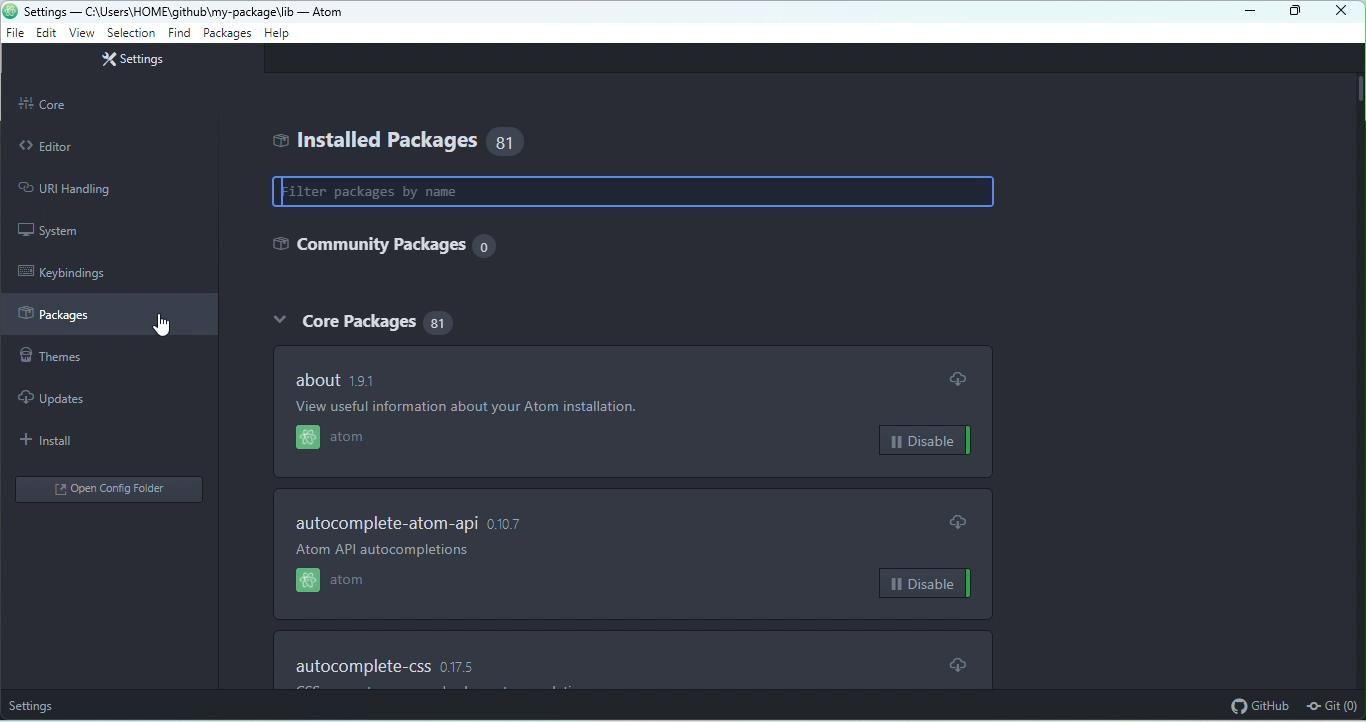 This screenshot has height=722, width=1366. What do you see at coordinates (921, 441) in the screenshot?
I see `disable` at bounding box center [921, 441].